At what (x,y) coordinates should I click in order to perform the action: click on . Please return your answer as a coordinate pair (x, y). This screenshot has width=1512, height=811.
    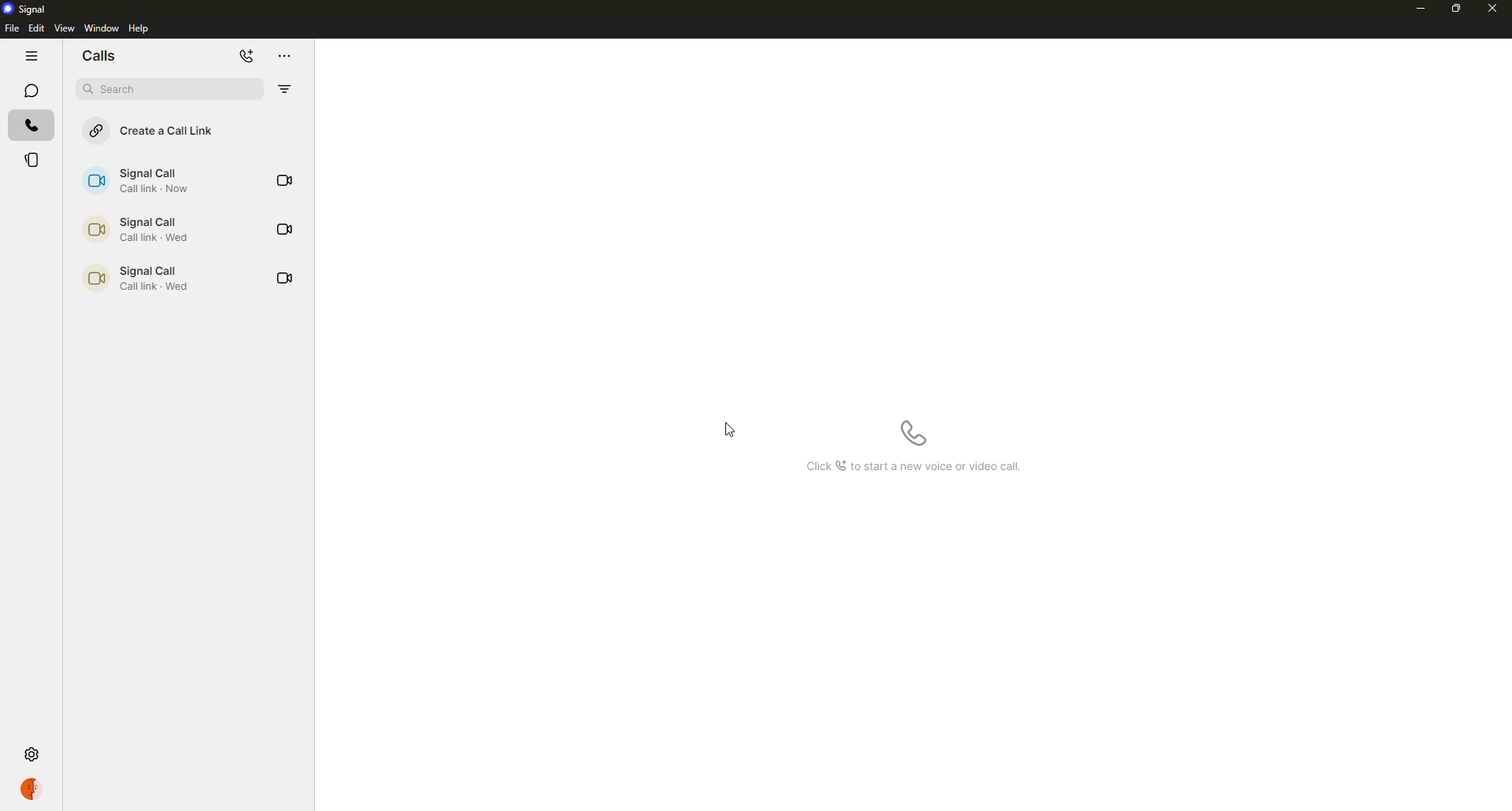
    Looking at the image, I should click on (1414, 8).